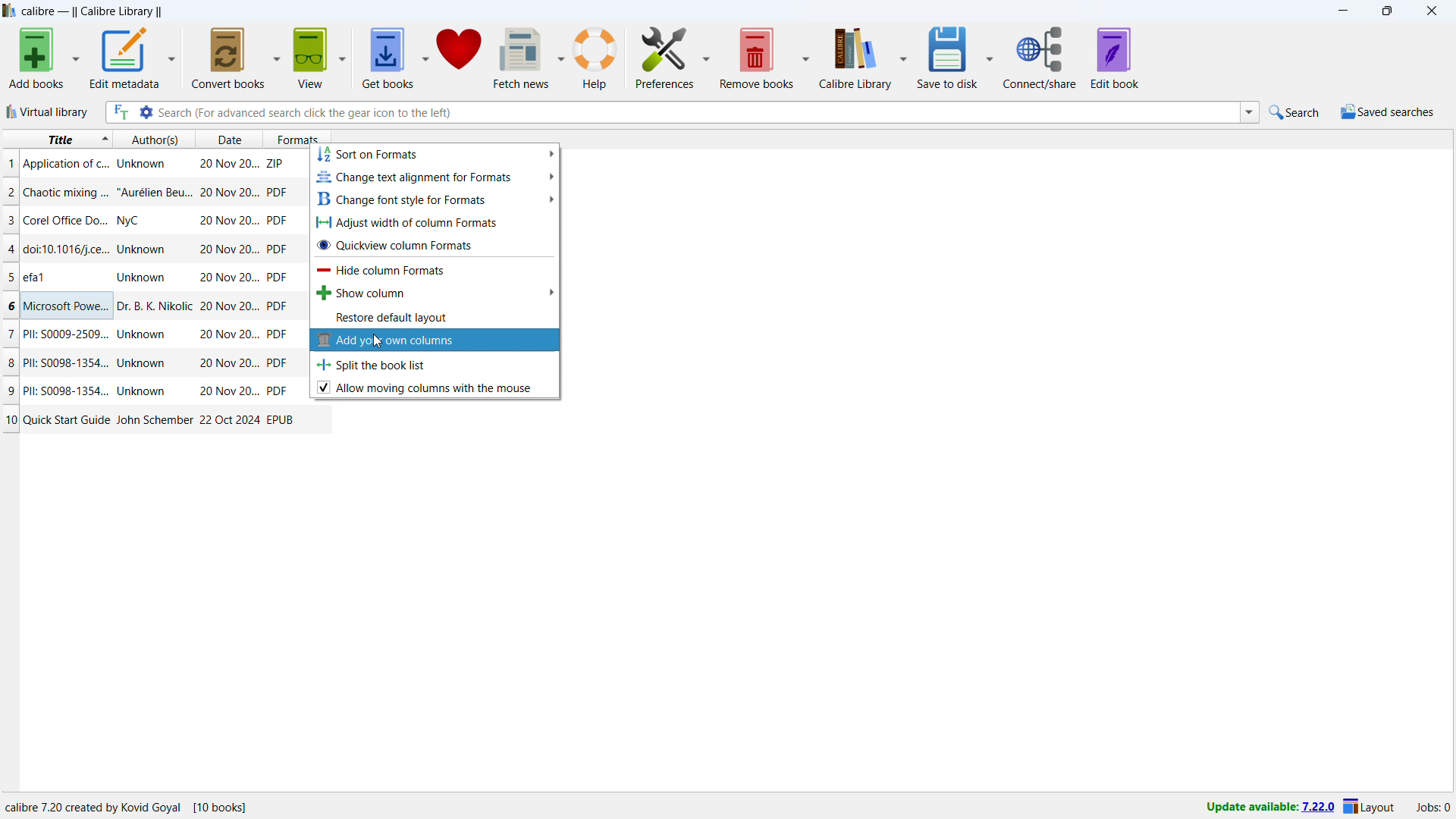 This screenshot has height=819, width=1456. Describe the element at coordinates (227, 162) in the screenshot. I see `date` at that location.